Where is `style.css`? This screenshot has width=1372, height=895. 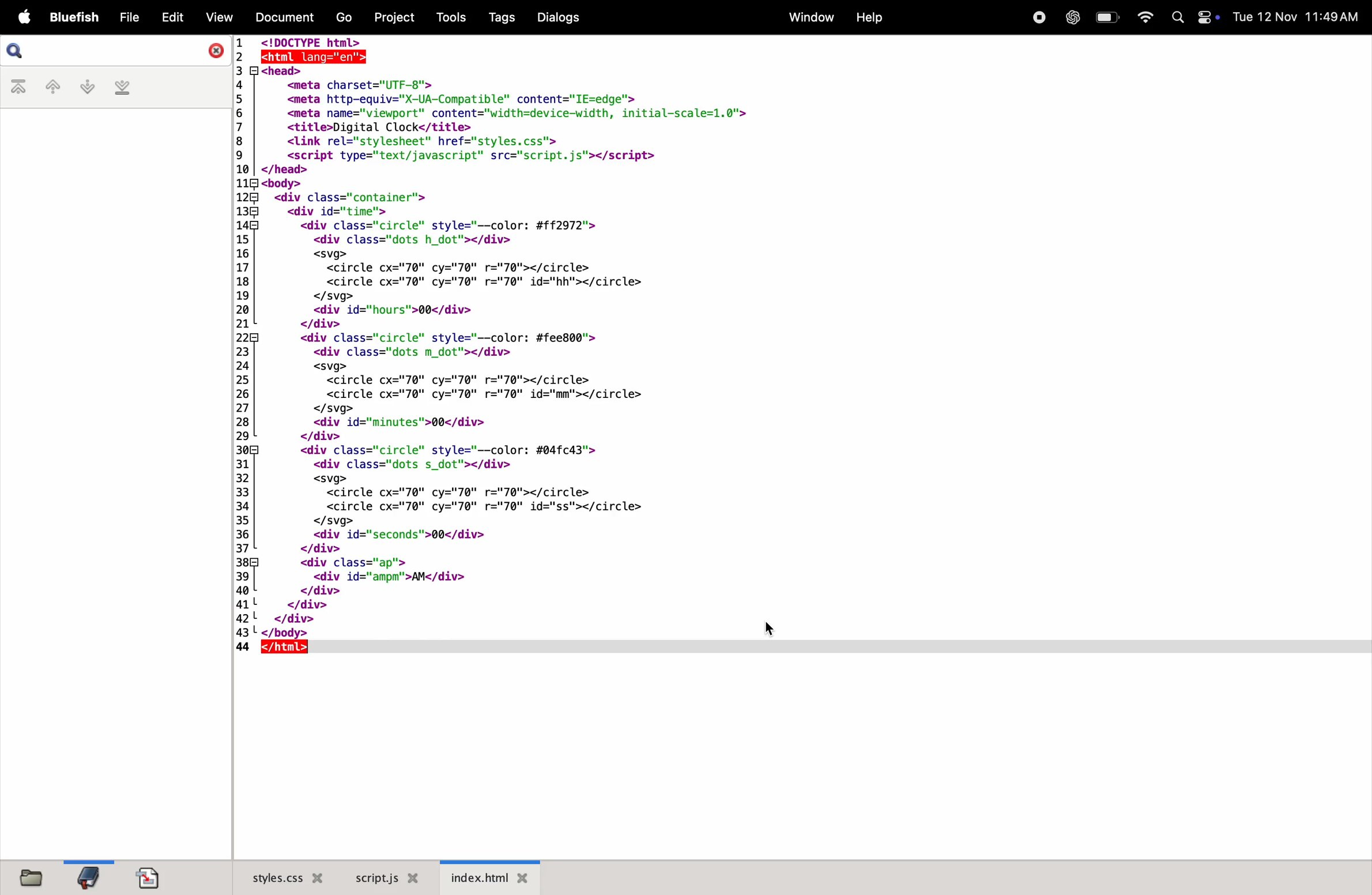 style.css is located at coordinates (281, 876).